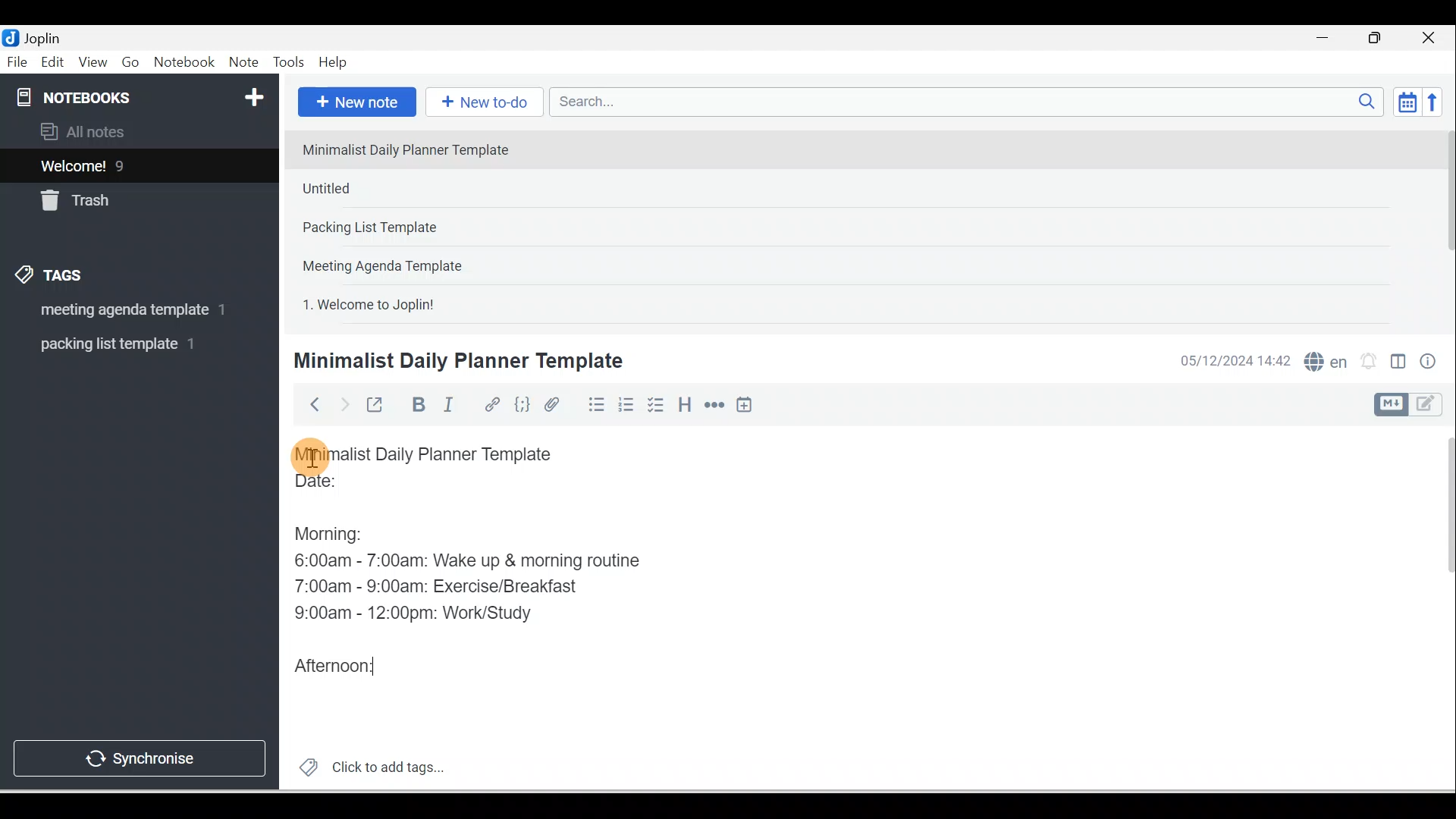 This screenshot has height=819, width=1456. What do you see at coordinates (54, 63) in the screenshot?
I see `Edit` at bounding box center [54, 63].